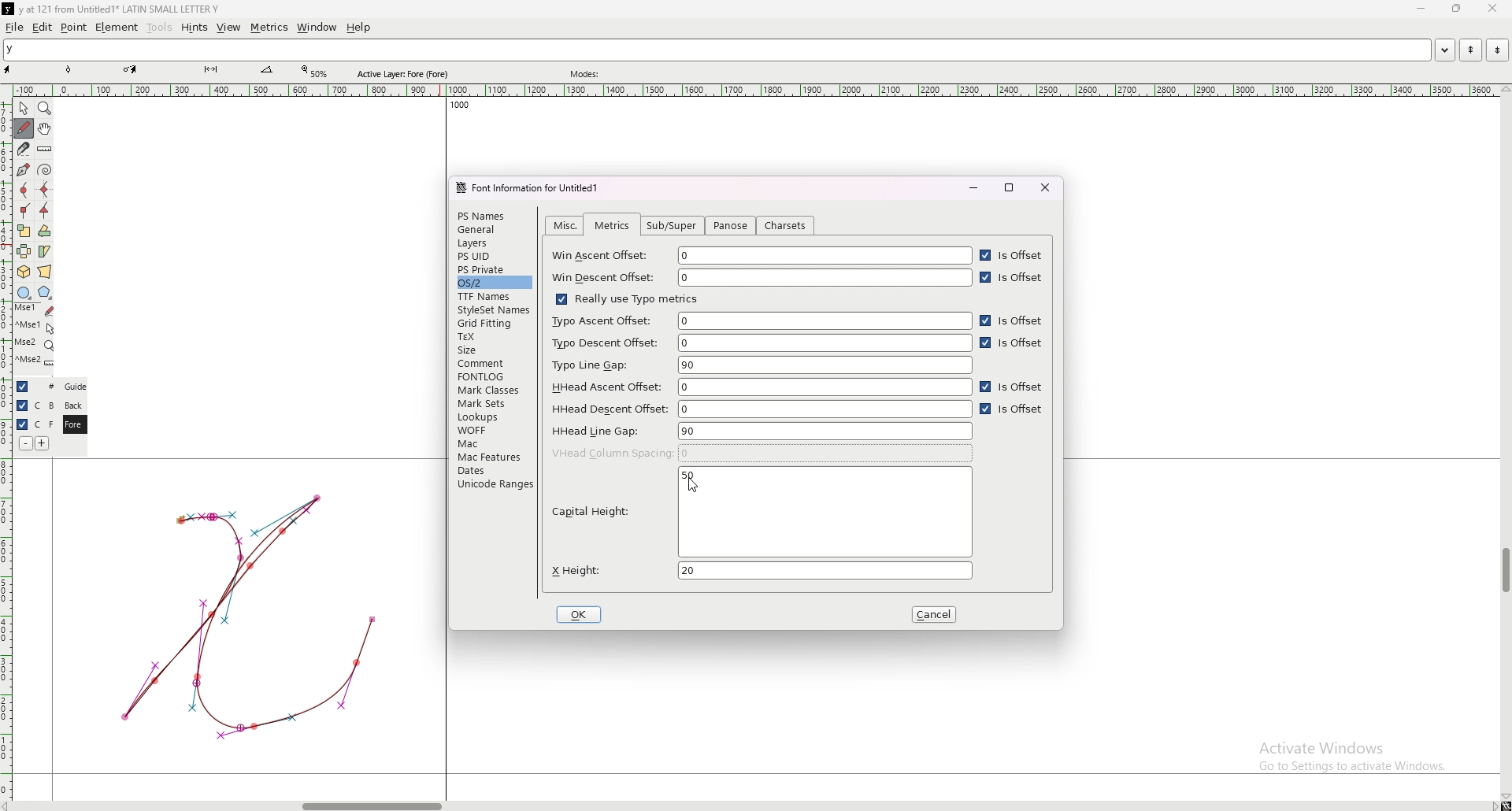  What do you see at coordinates (760, 512) in the screenshot?
I see `capital height` at bounding box center [760, 512].